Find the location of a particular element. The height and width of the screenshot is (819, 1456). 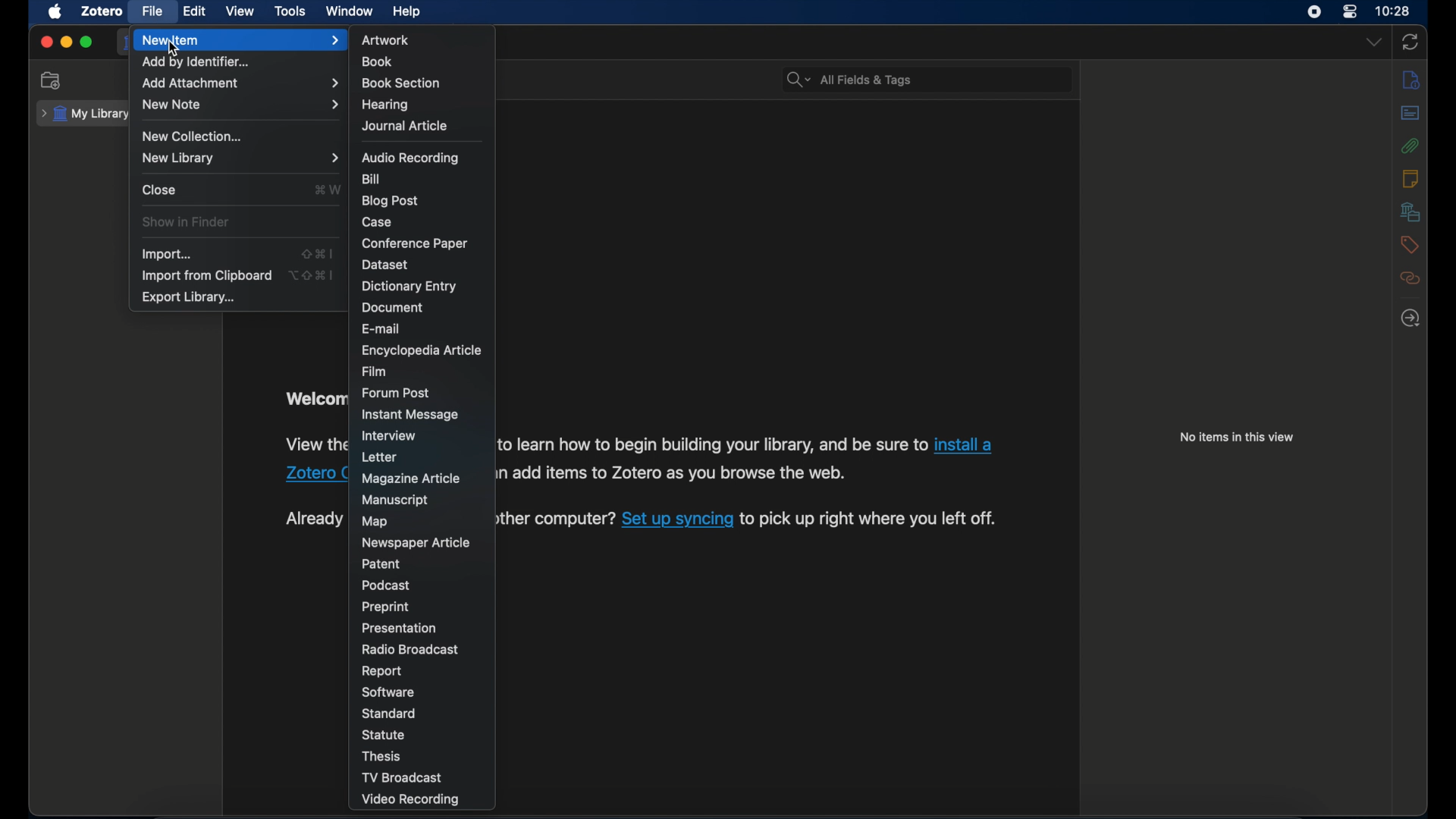

manuscript is located at coordinates (396, 500).